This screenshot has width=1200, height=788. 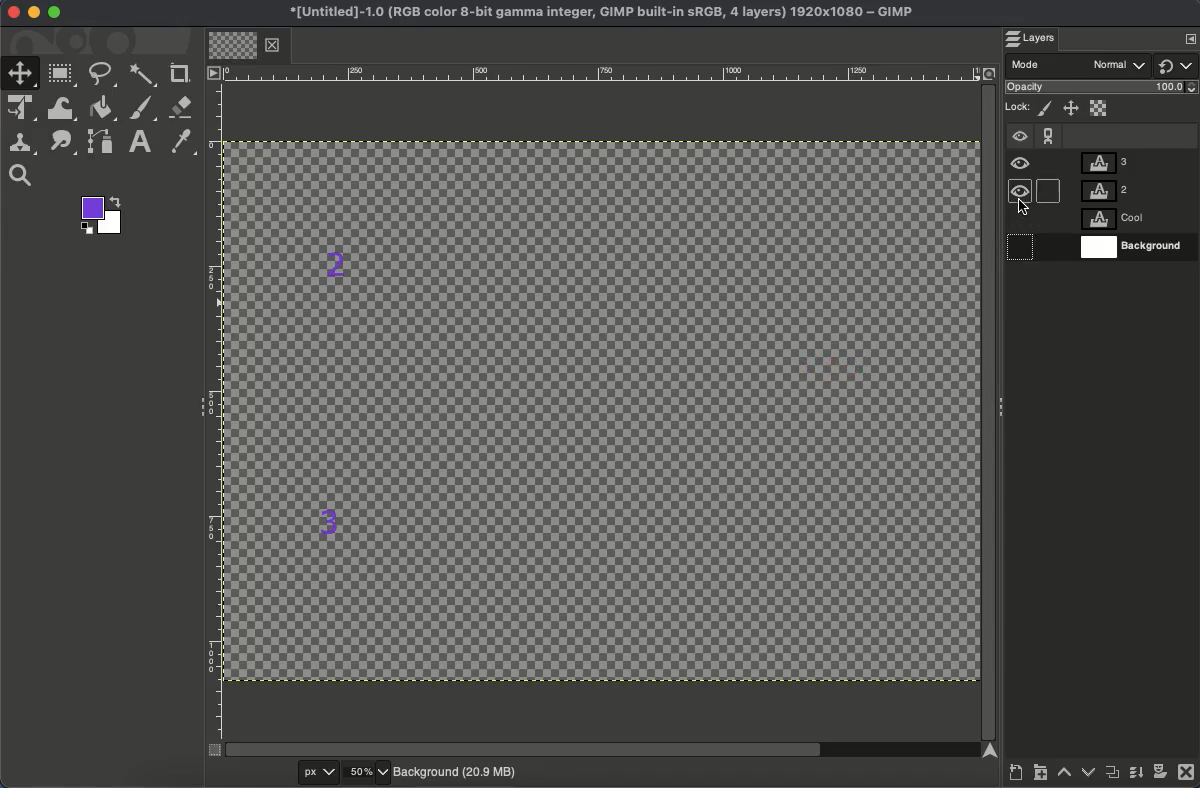 I want to click on Name, so click(x=597, y=14).